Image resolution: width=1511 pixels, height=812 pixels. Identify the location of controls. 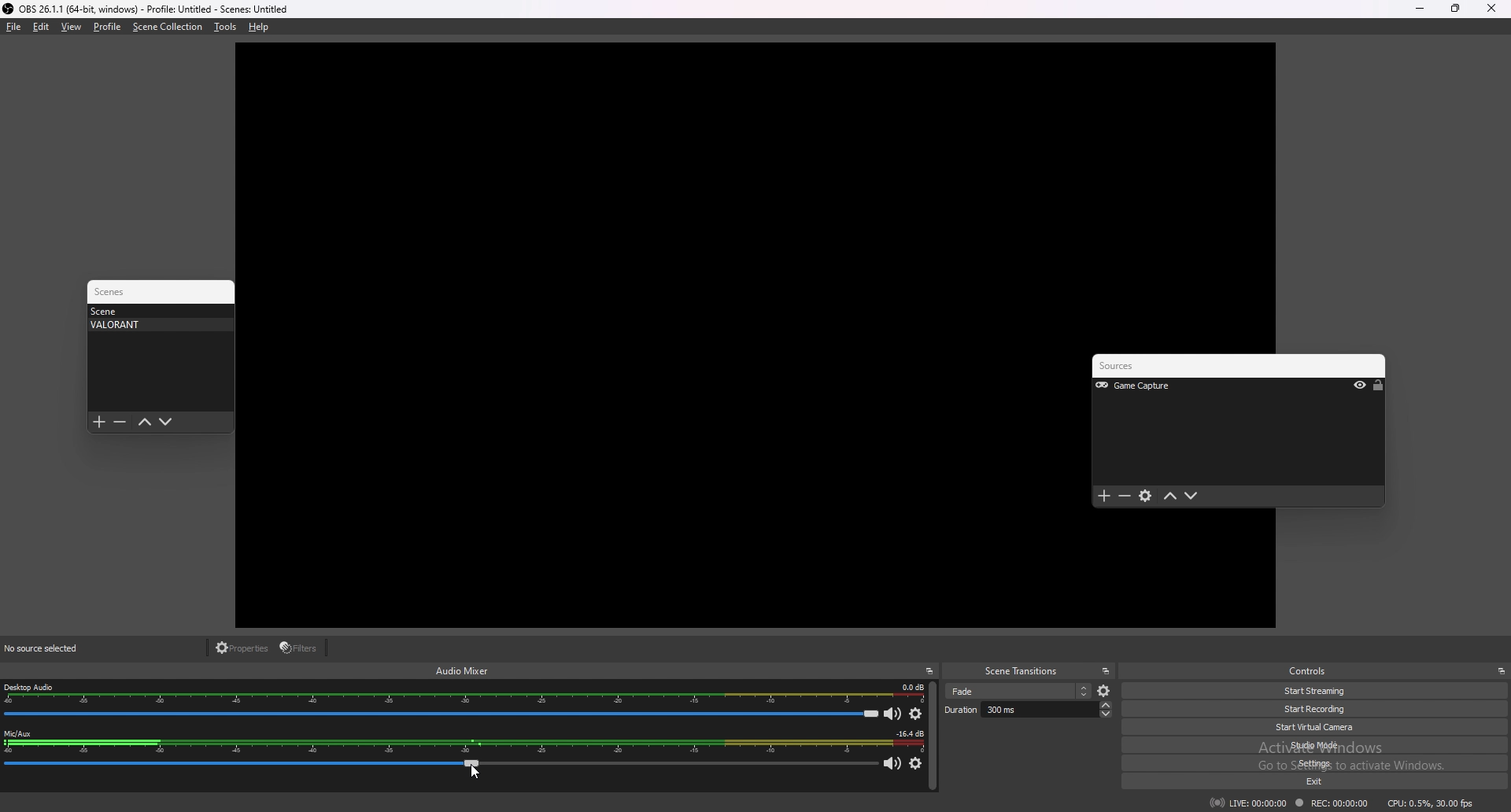
(1313, 670).